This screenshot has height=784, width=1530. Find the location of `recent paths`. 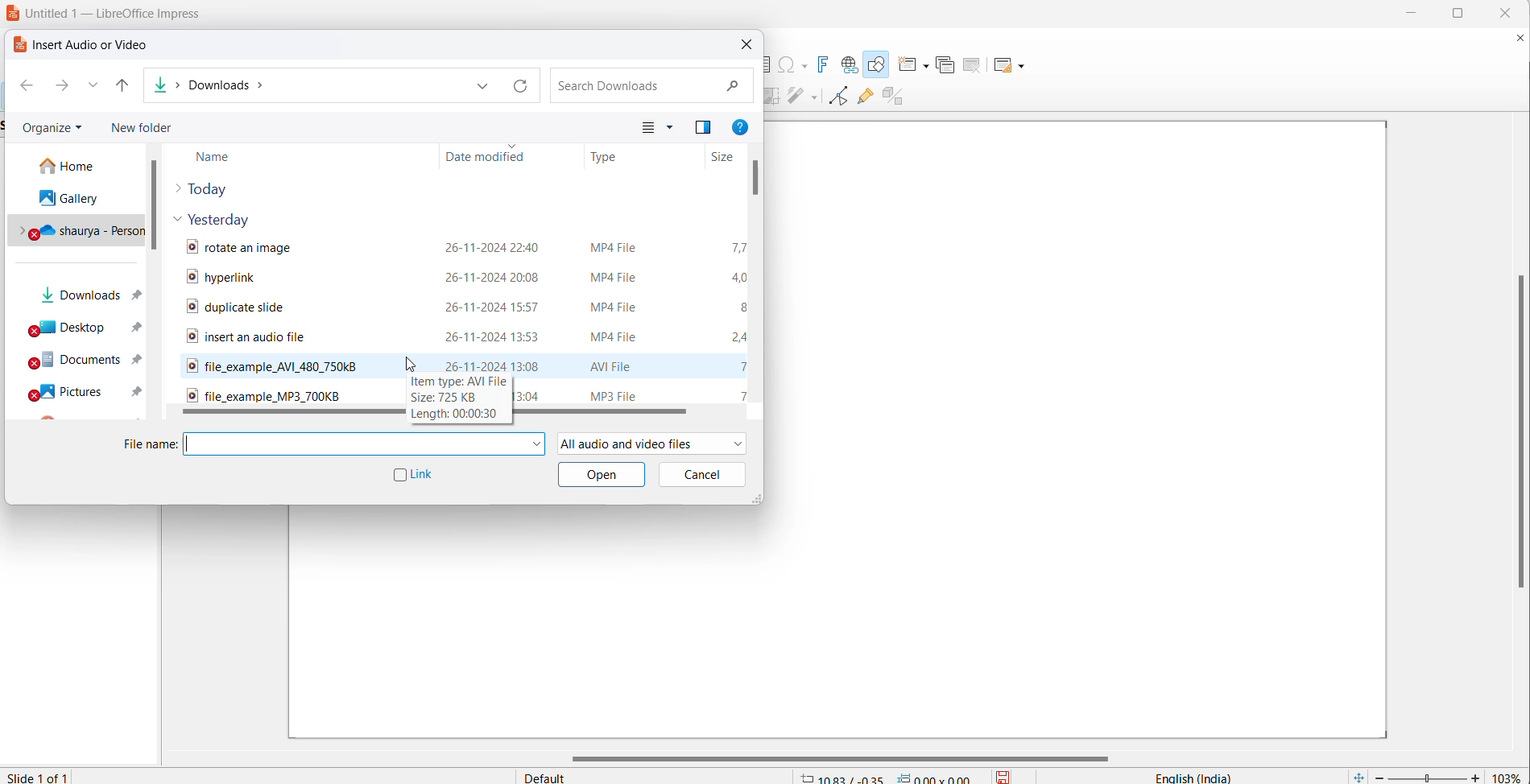

recent paths is located at coordinates (96, 84).